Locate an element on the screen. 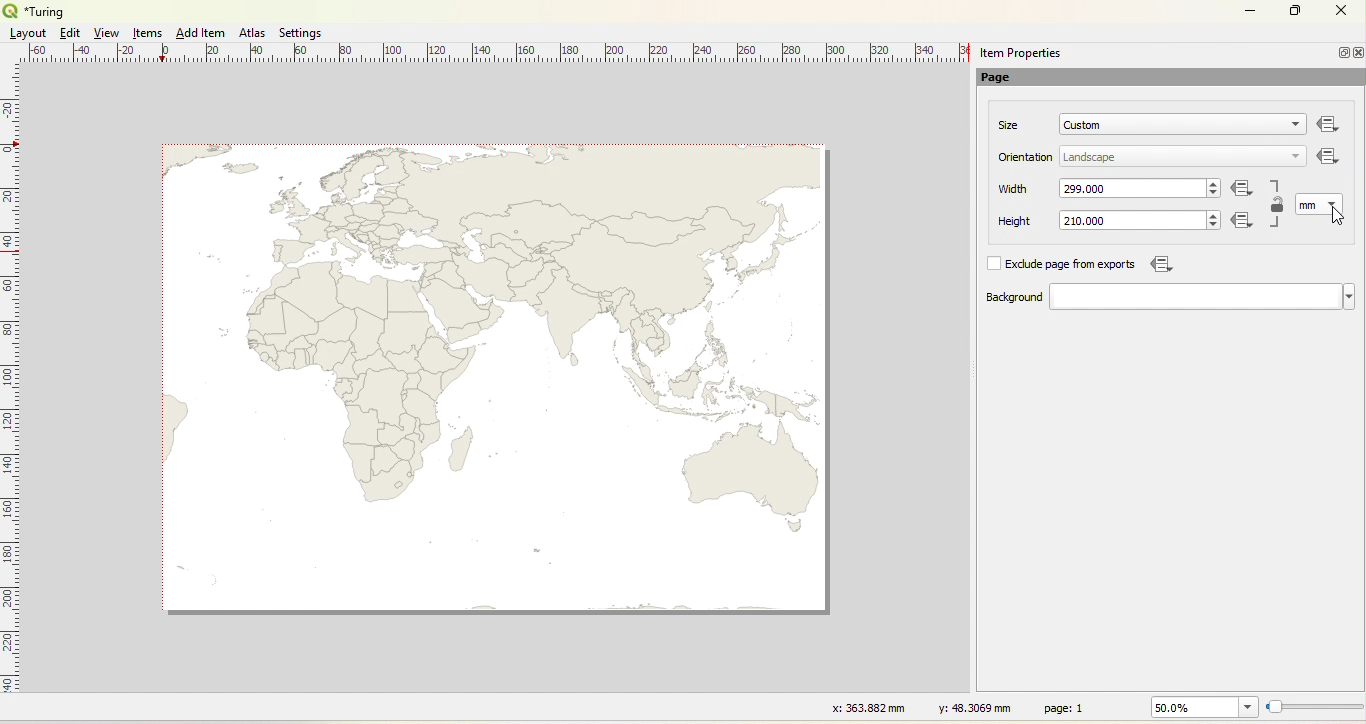  dropdown is located at coordinates (1296, 155).